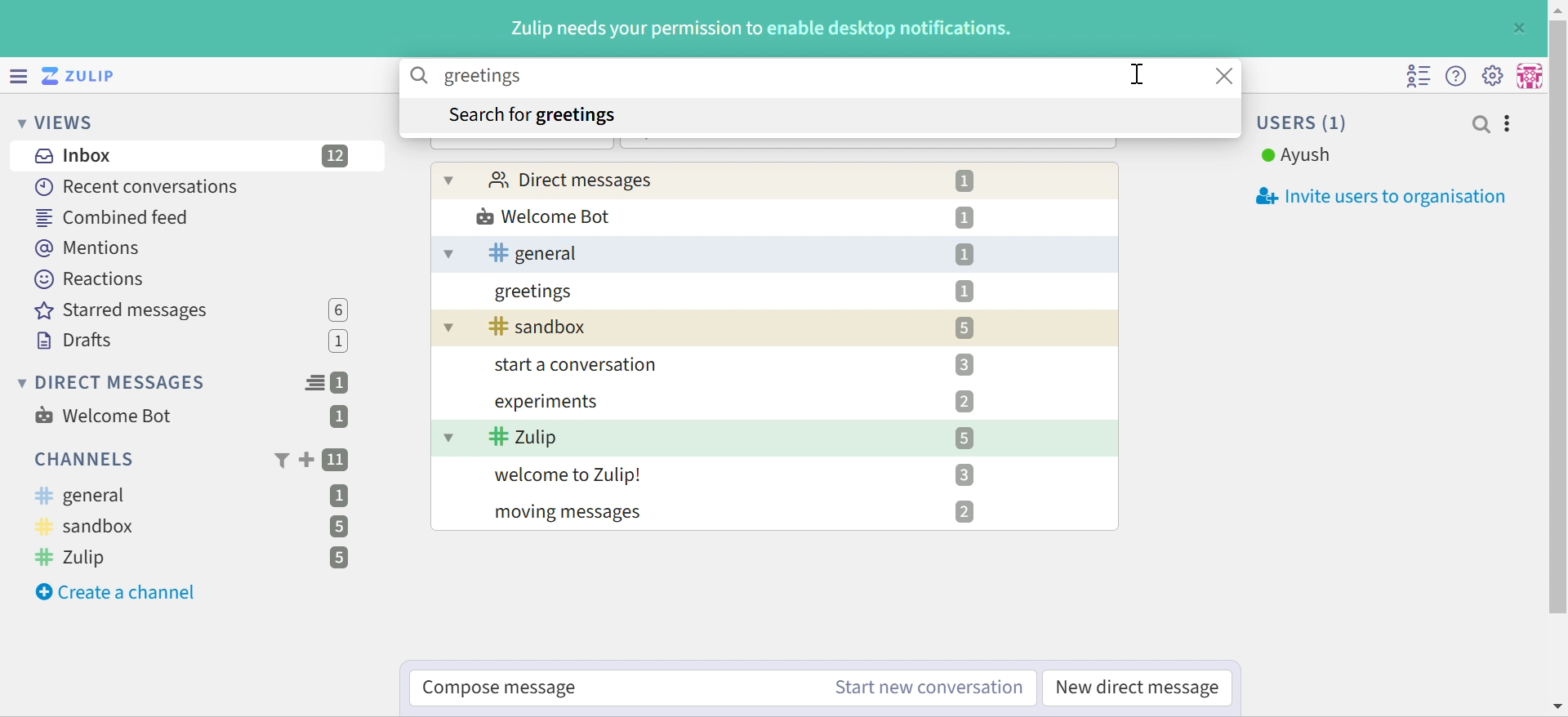 The height and width of the screenshot is (717, 1568). What do you see at coordinates (543, 216) in the screenshot?
I see `Welcome Bot` at bounding box center [543, 216].